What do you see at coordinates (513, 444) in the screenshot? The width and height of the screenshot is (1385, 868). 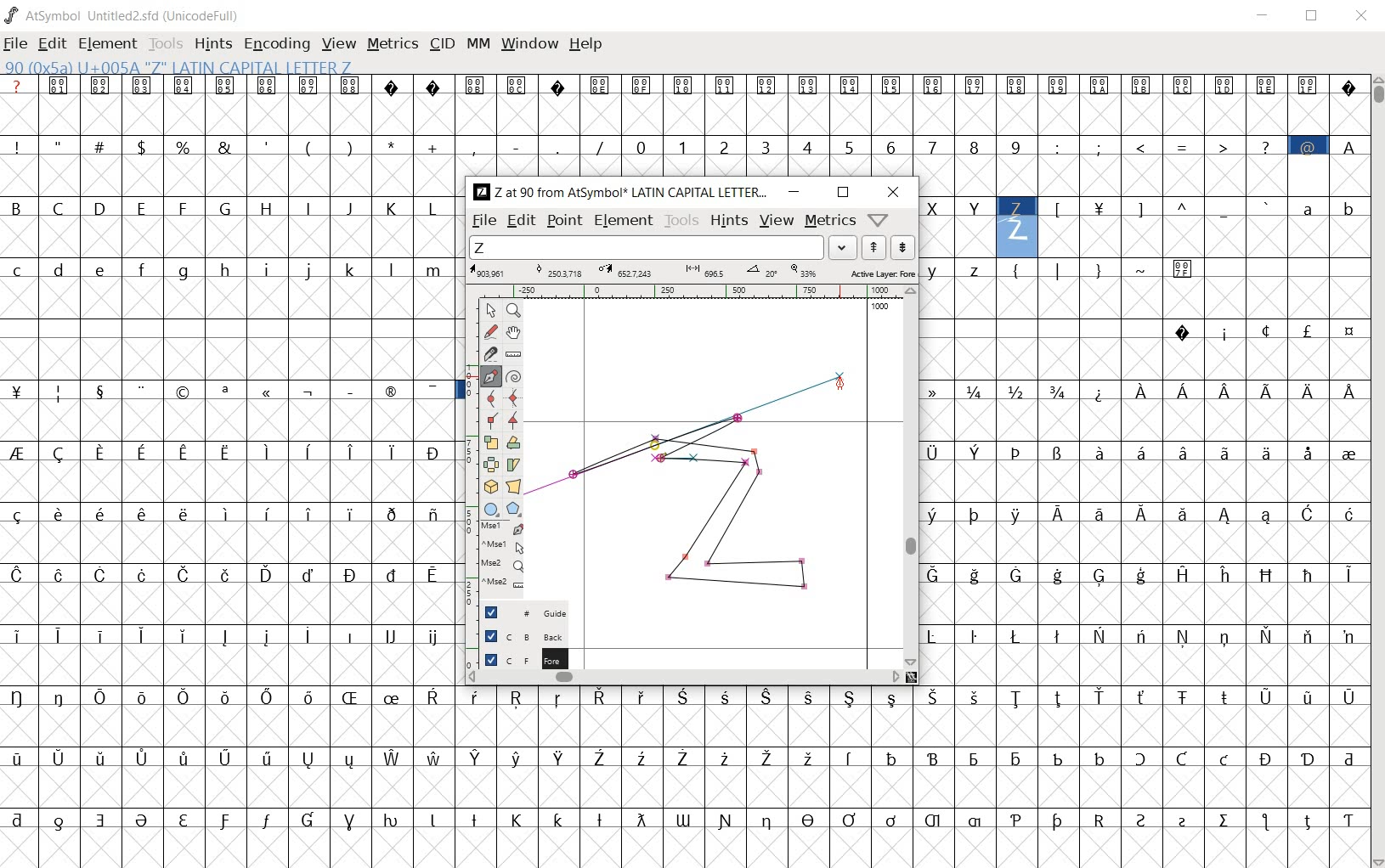 I see `Rotate the selection` at bounding box center [513, 444].